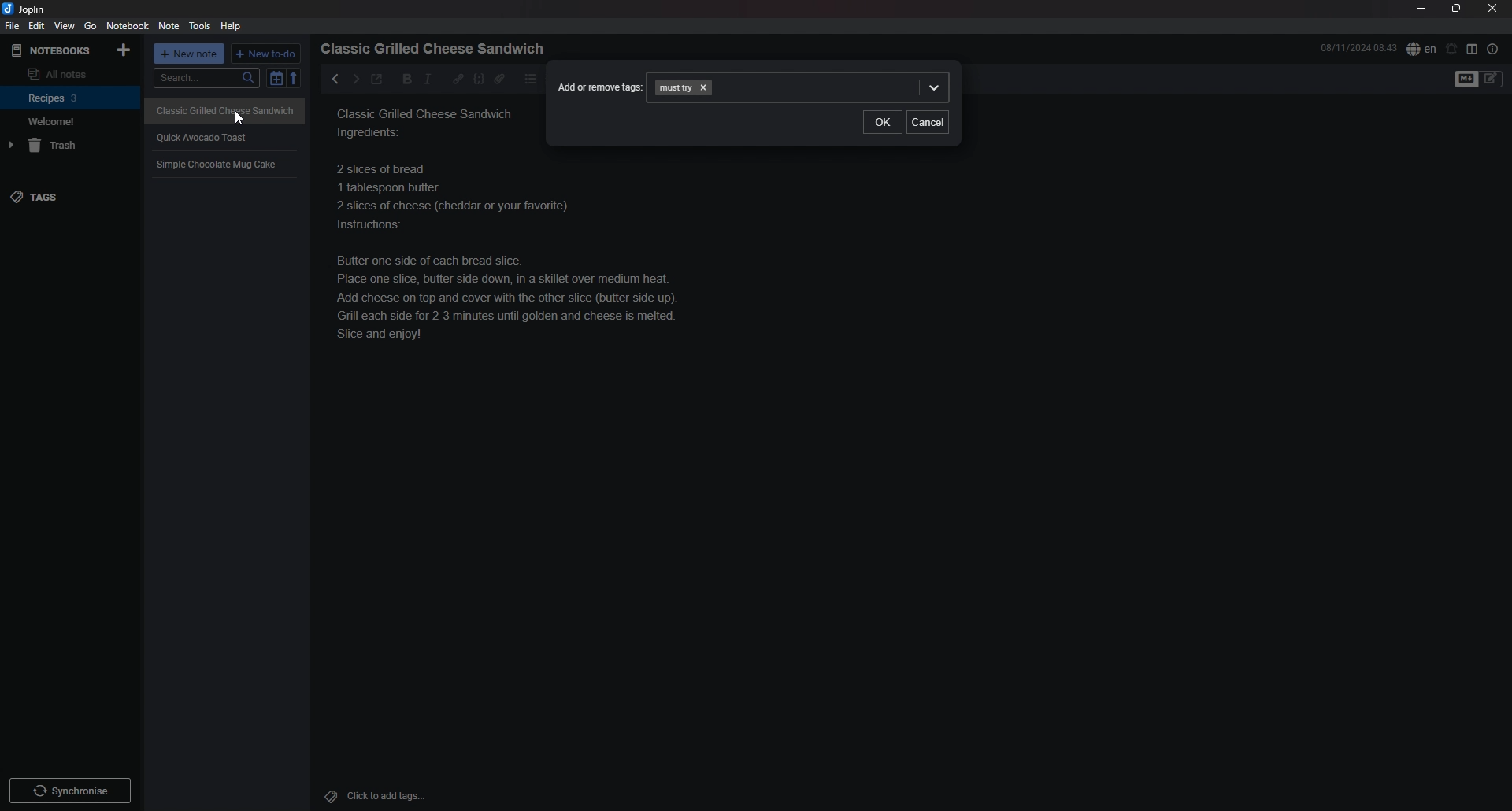  I want to click on all notes, so click(68, 73).